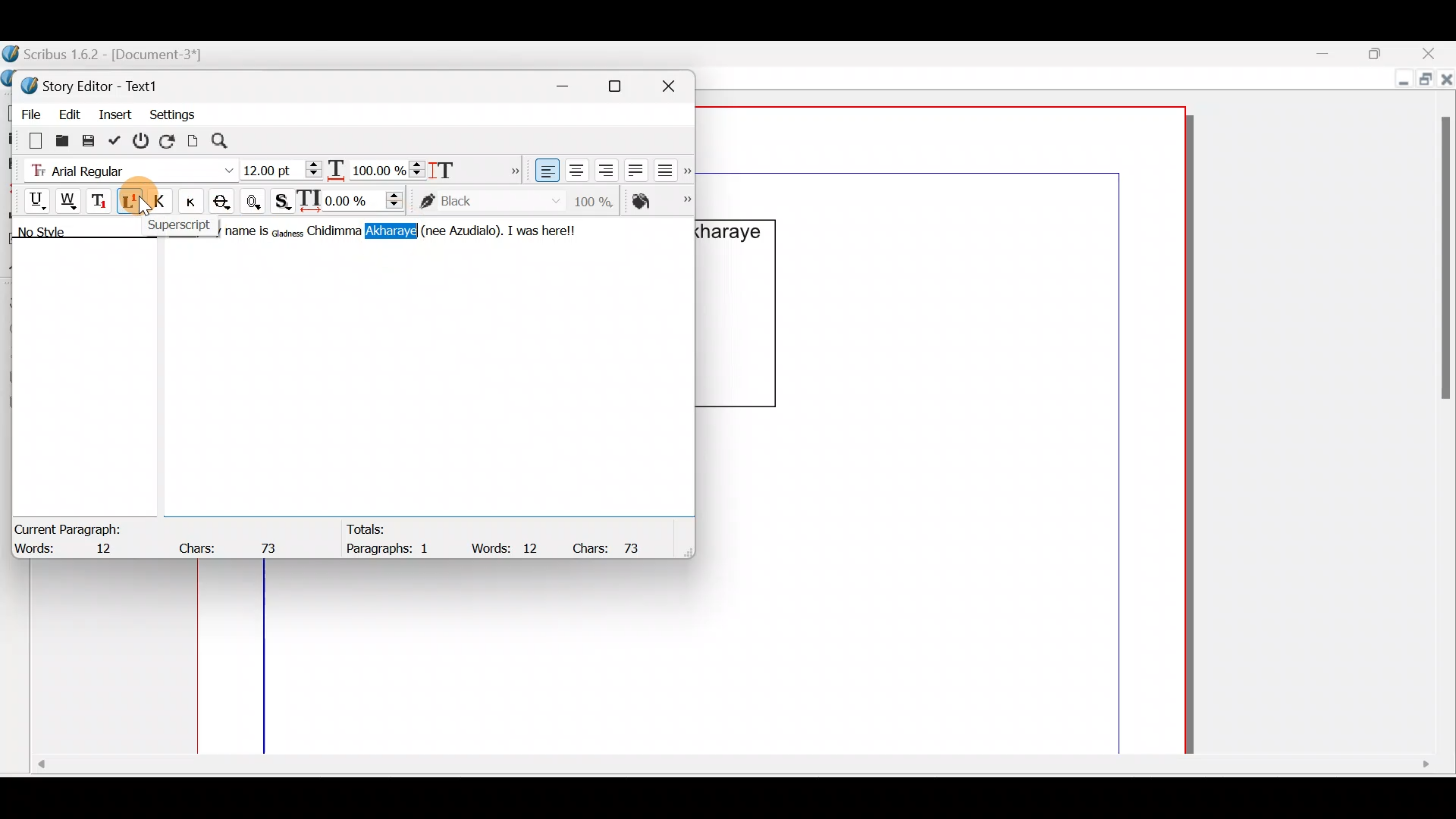  I want to click on Align text right, so click(603, 171).